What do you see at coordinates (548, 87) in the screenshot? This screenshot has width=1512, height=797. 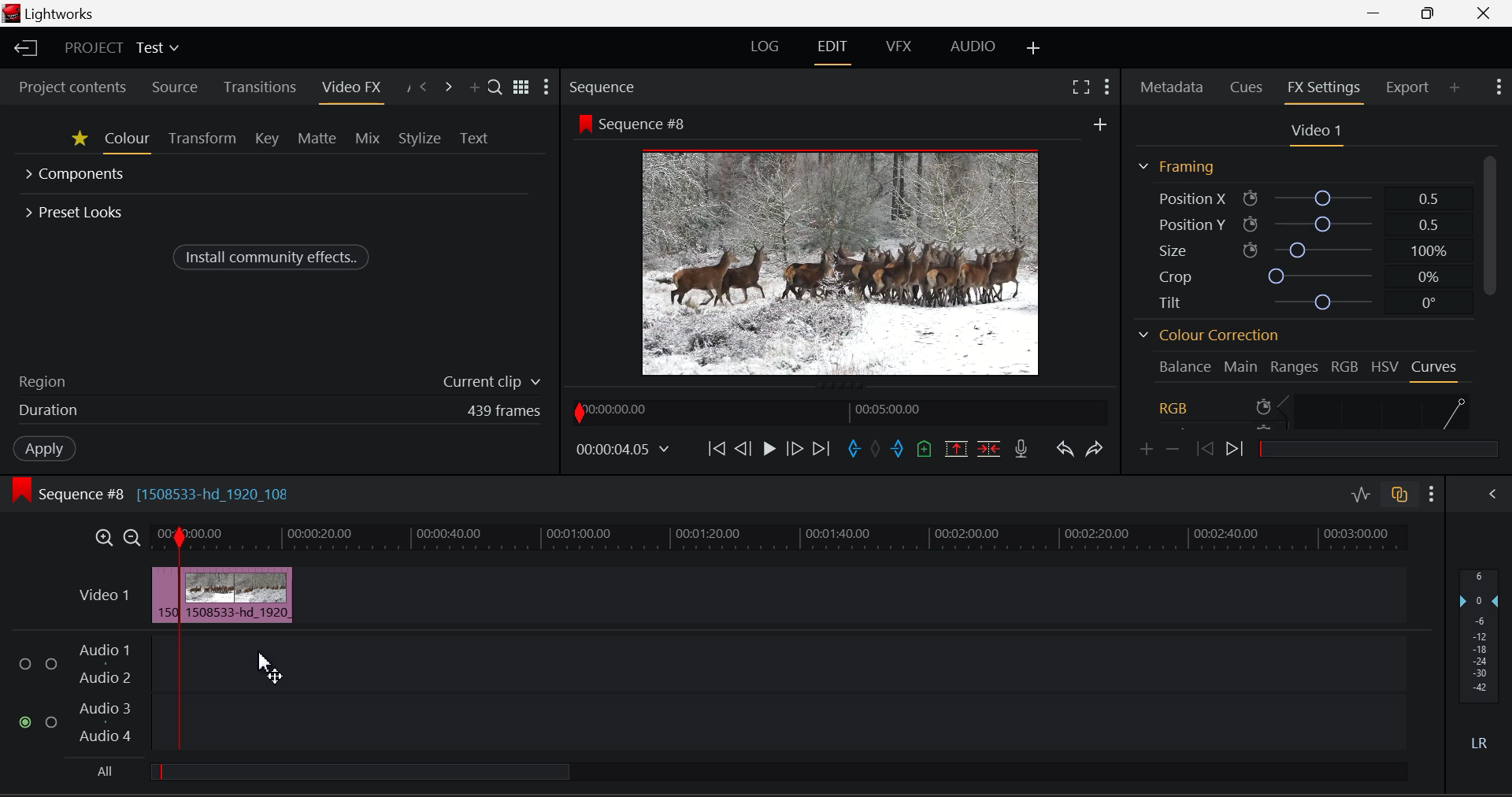 I see `Show Settings` at bounding box center [548, 87].